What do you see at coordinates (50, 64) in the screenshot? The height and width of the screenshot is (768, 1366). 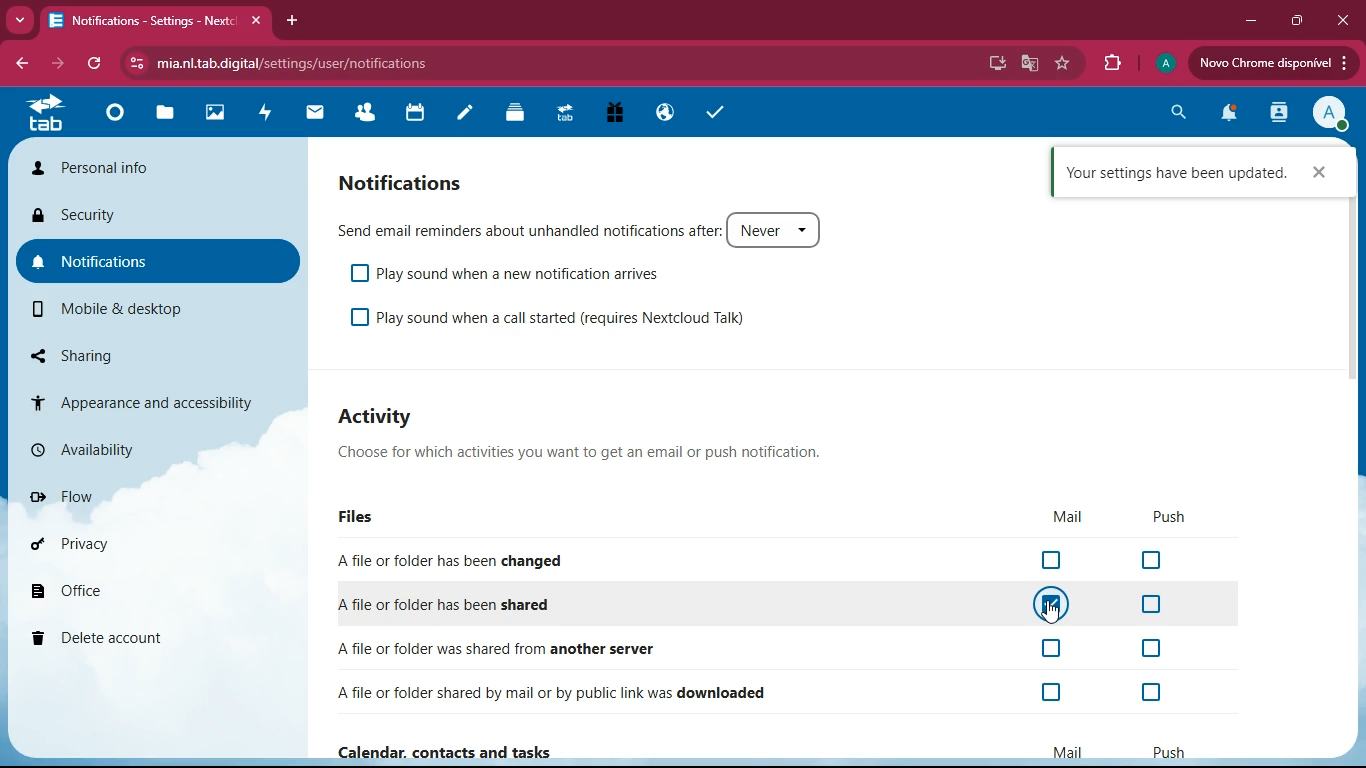 I see `forward` at bounding box center [50, 64].